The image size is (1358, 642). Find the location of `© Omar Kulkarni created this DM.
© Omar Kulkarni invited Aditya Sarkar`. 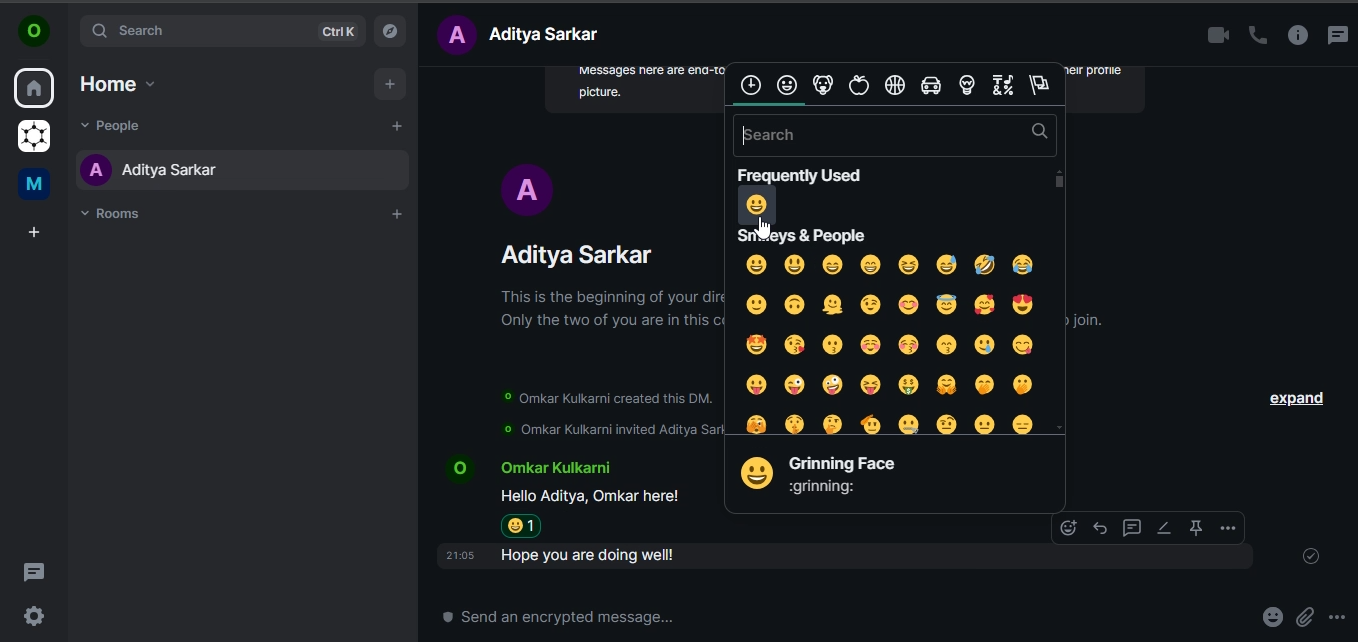

© Omar Kulkarni created this DM.
© Omar Kulkarni invited Aditya Sarkar is located at coordinates (604, 414).